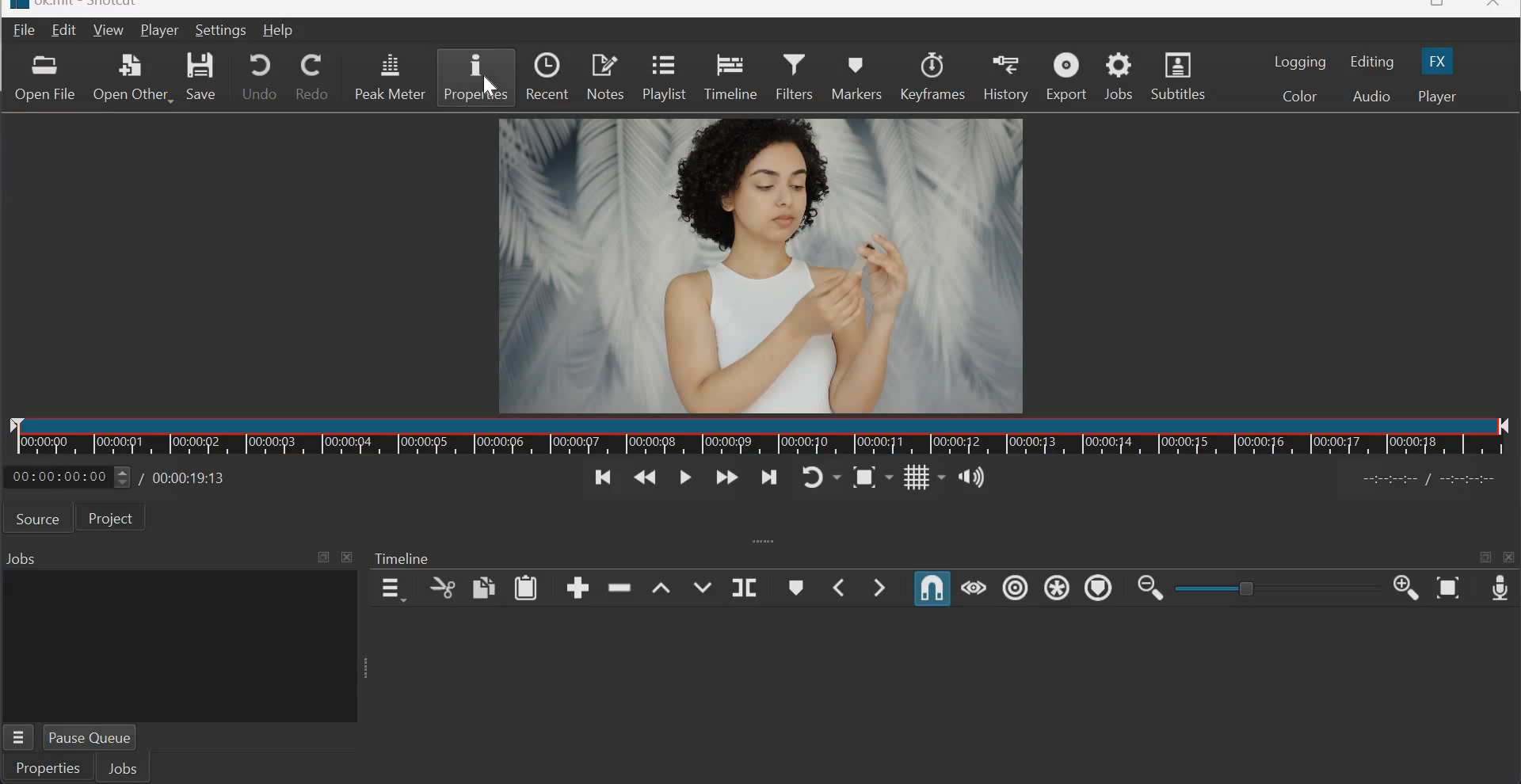 The image size is (1521, 784). What do you see at coordinates (1248, 588) in the screenshot?
I see `toggle` at bounding box center [1248, 588].